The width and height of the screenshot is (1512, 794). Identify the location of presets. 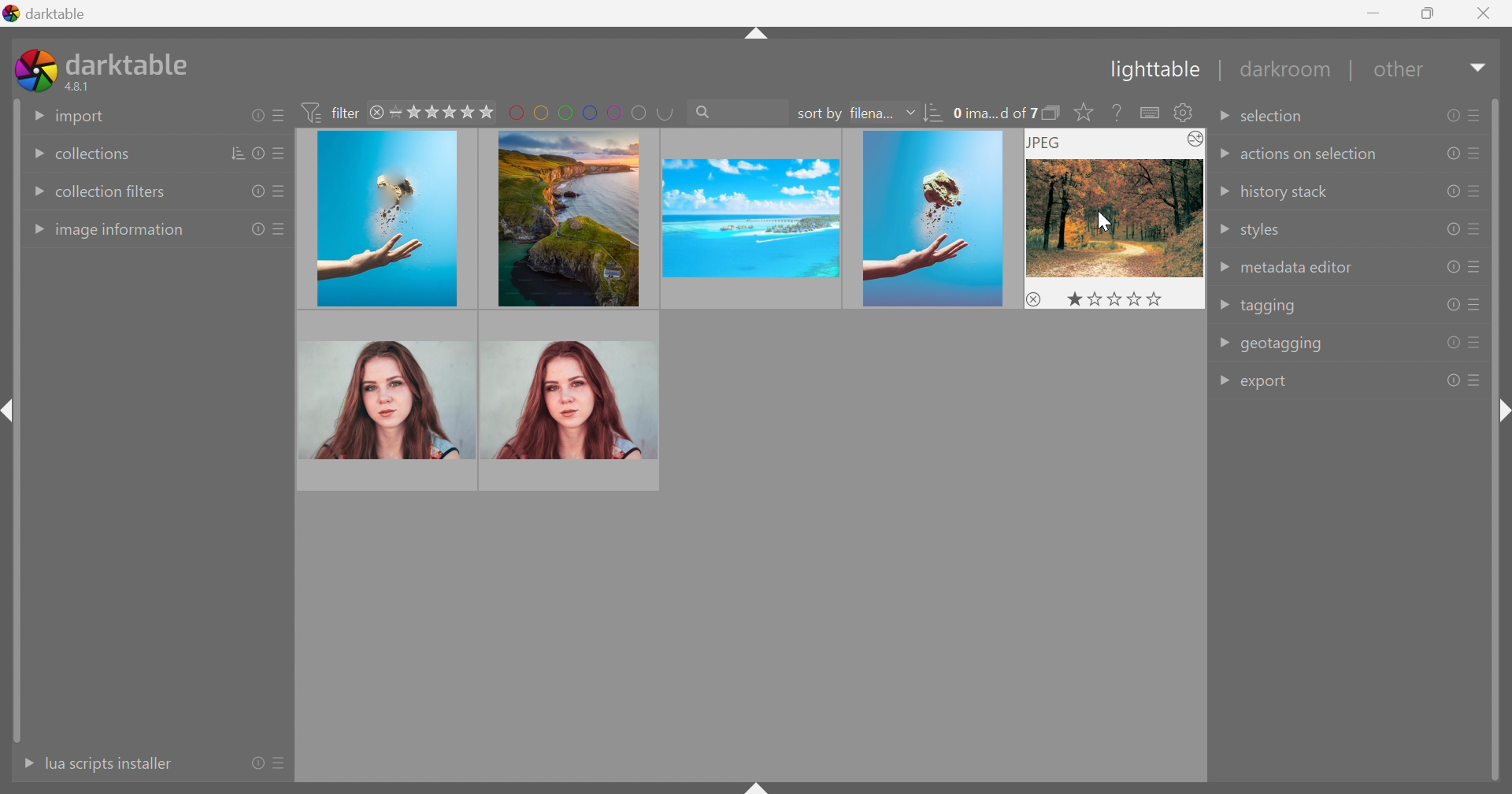
(276, 194).